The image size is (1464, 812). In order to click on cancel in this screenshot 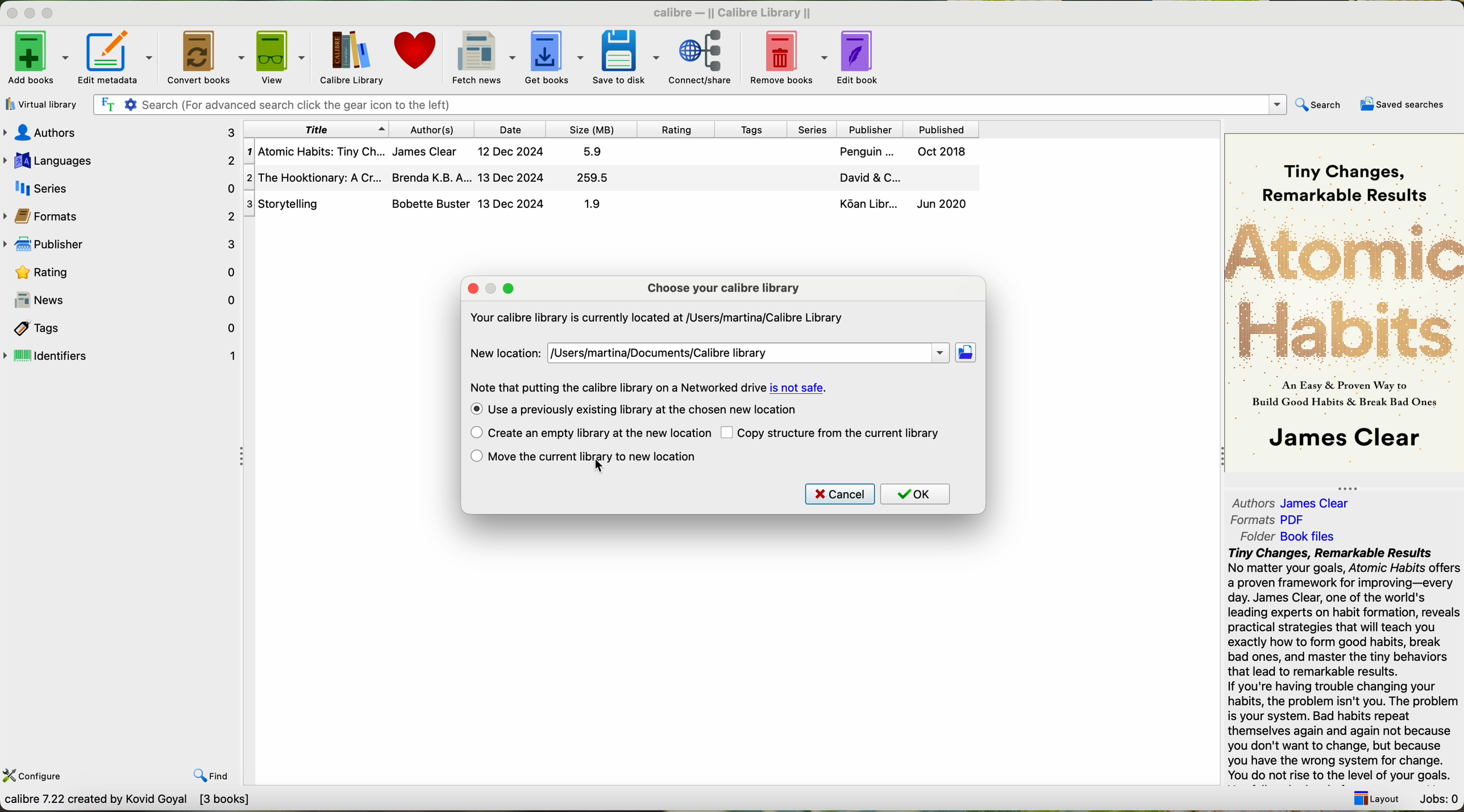, I will do `click(840, 494)`.